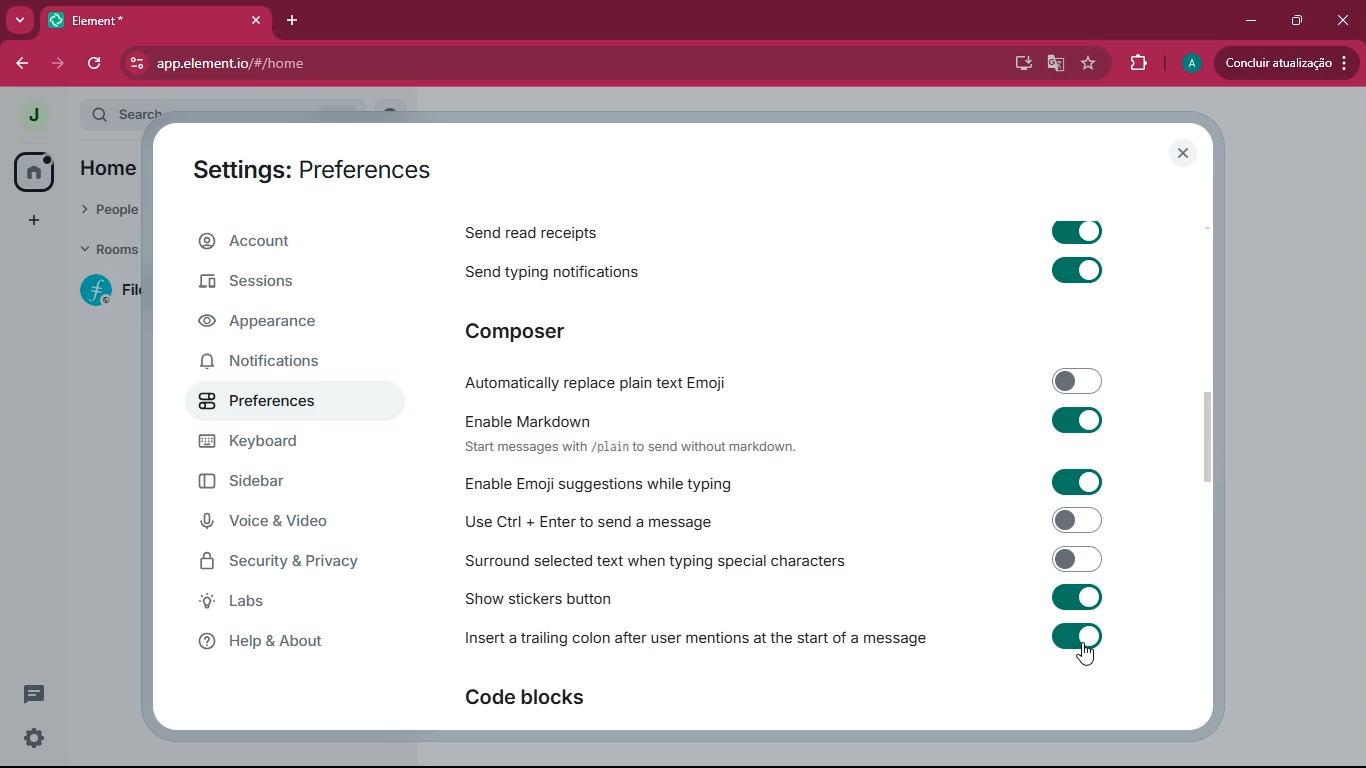 This screenshot has height=768, width=1366. Describe the element at coordinates (532, 331) in the screenshot. I see `composer` at that location.